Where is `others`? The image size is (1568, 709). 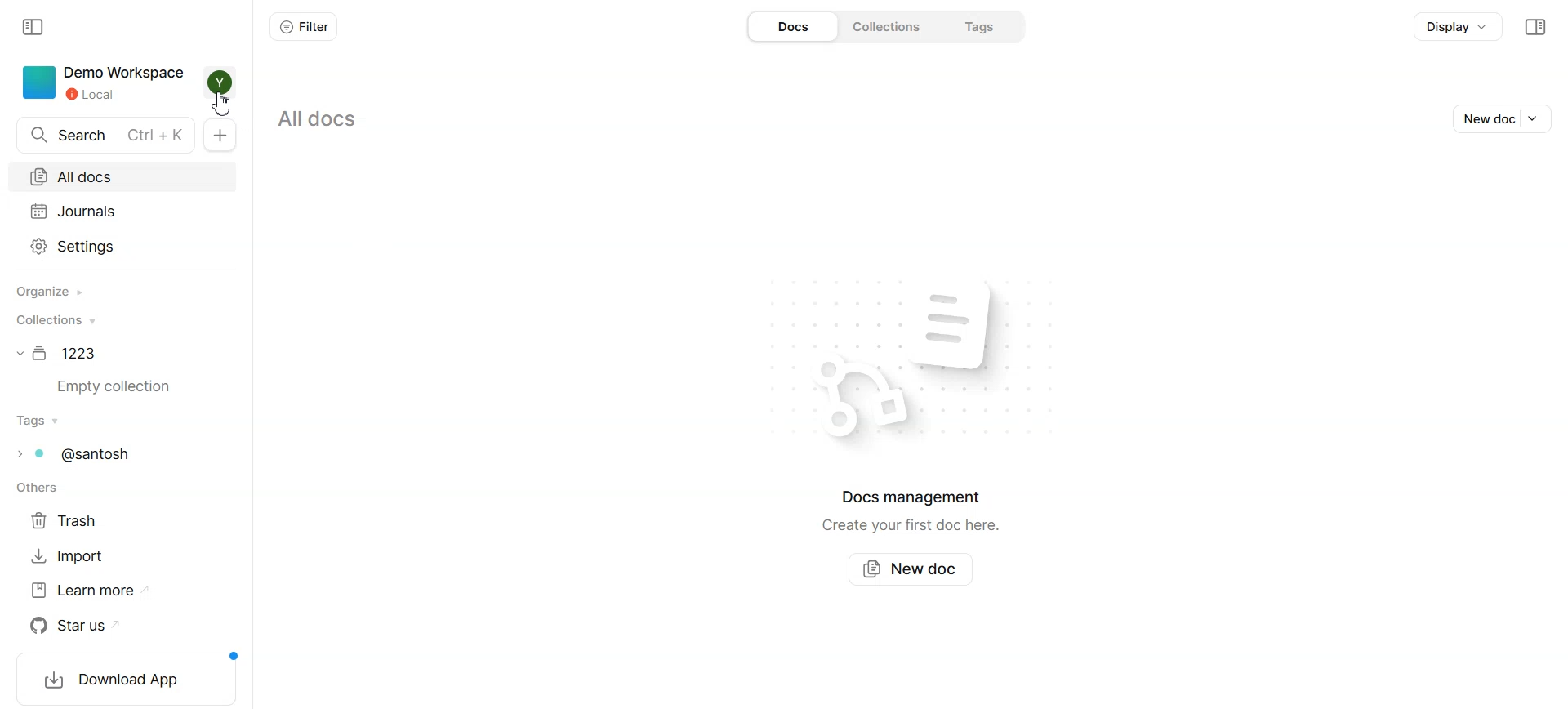 others is located at coordinates (34, 488).